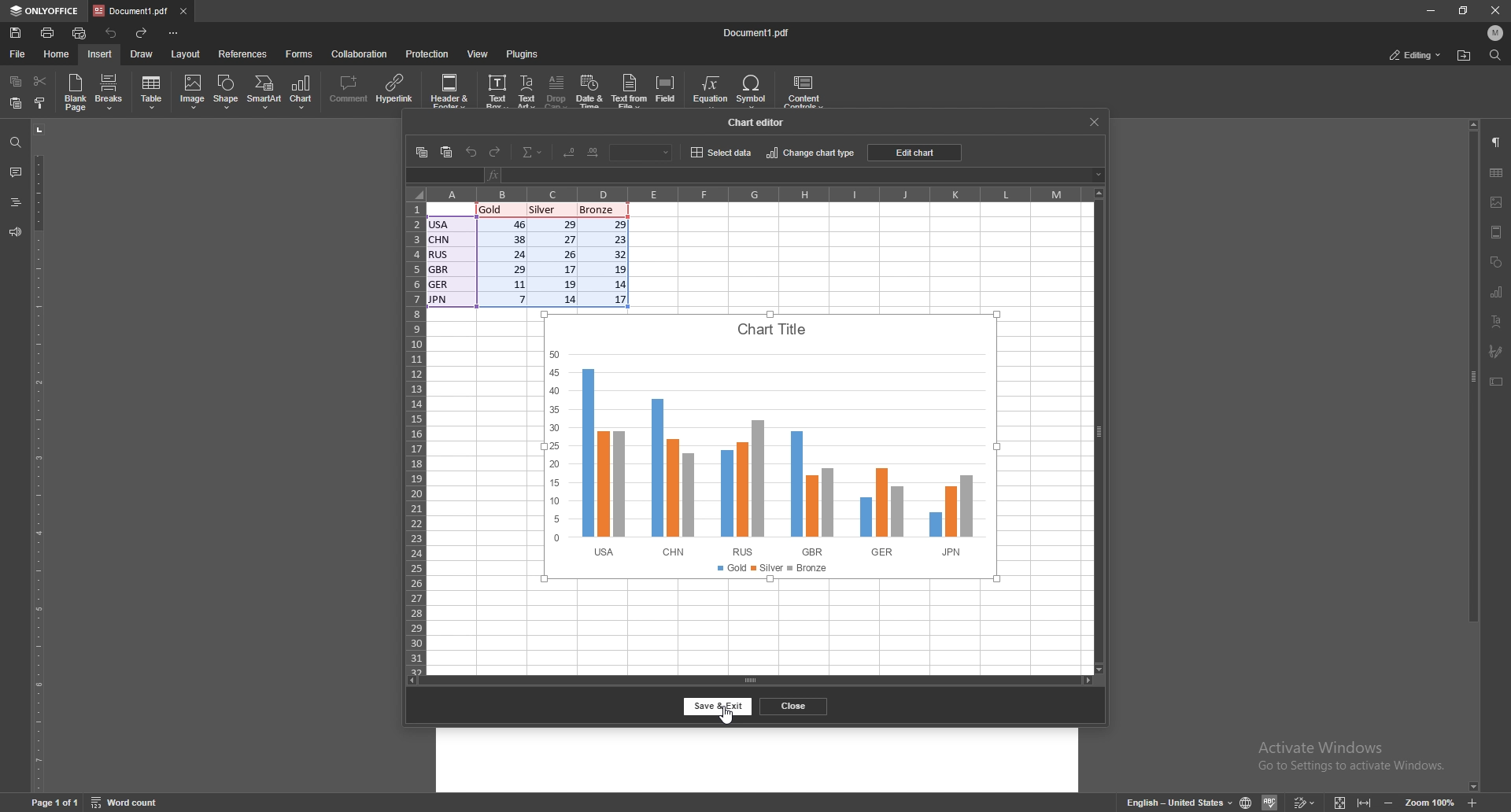 This screenshot has width=1511, height=812. What do you see at coordinates (711, 92) in the screenshot?
I see `equation` at bounding box center [711, 92].